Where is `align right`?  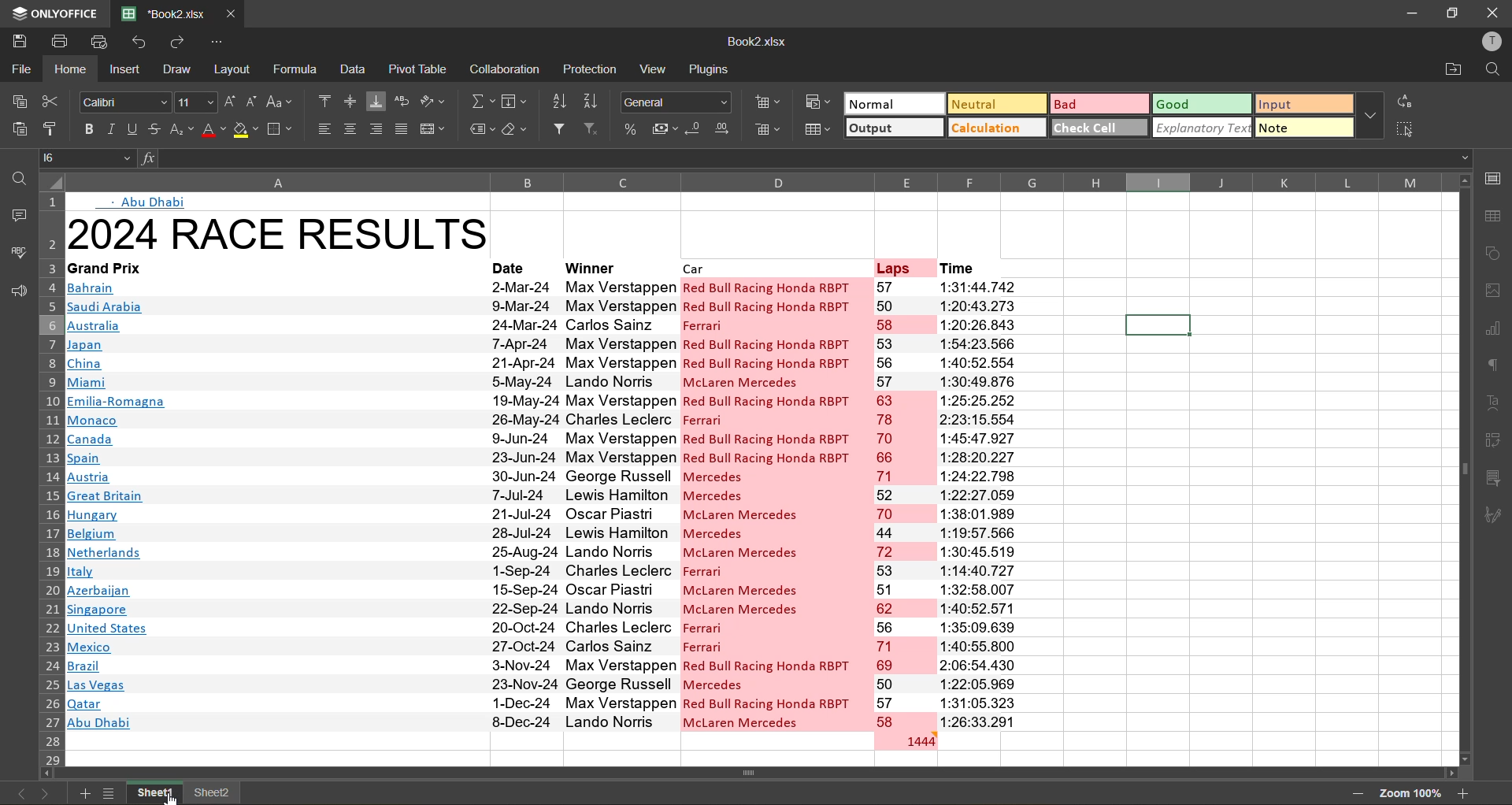 align right is located at coordinates (375, 130).